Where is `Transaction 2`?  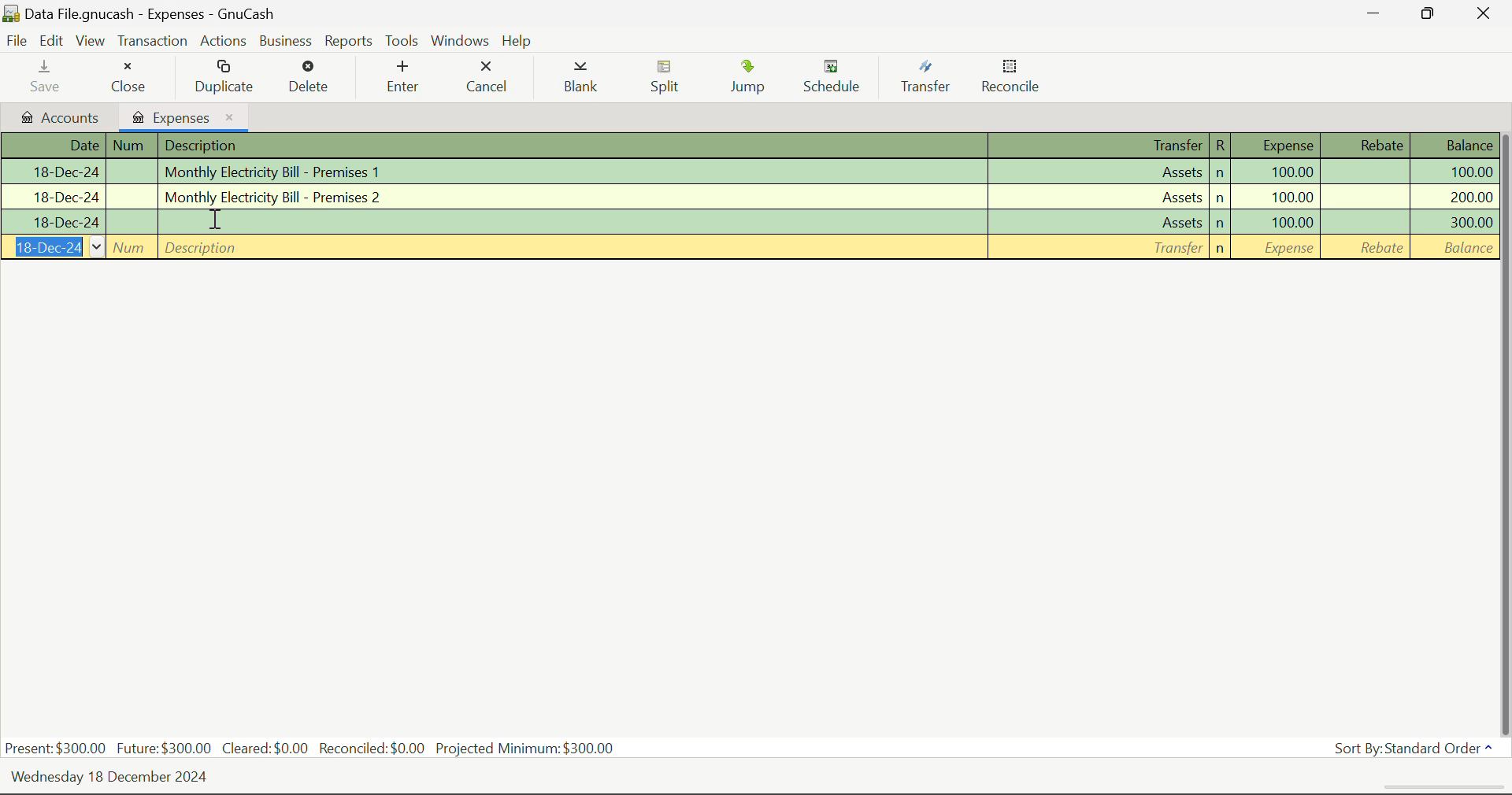
Transaction 2 is located at coordinates (750, 195).